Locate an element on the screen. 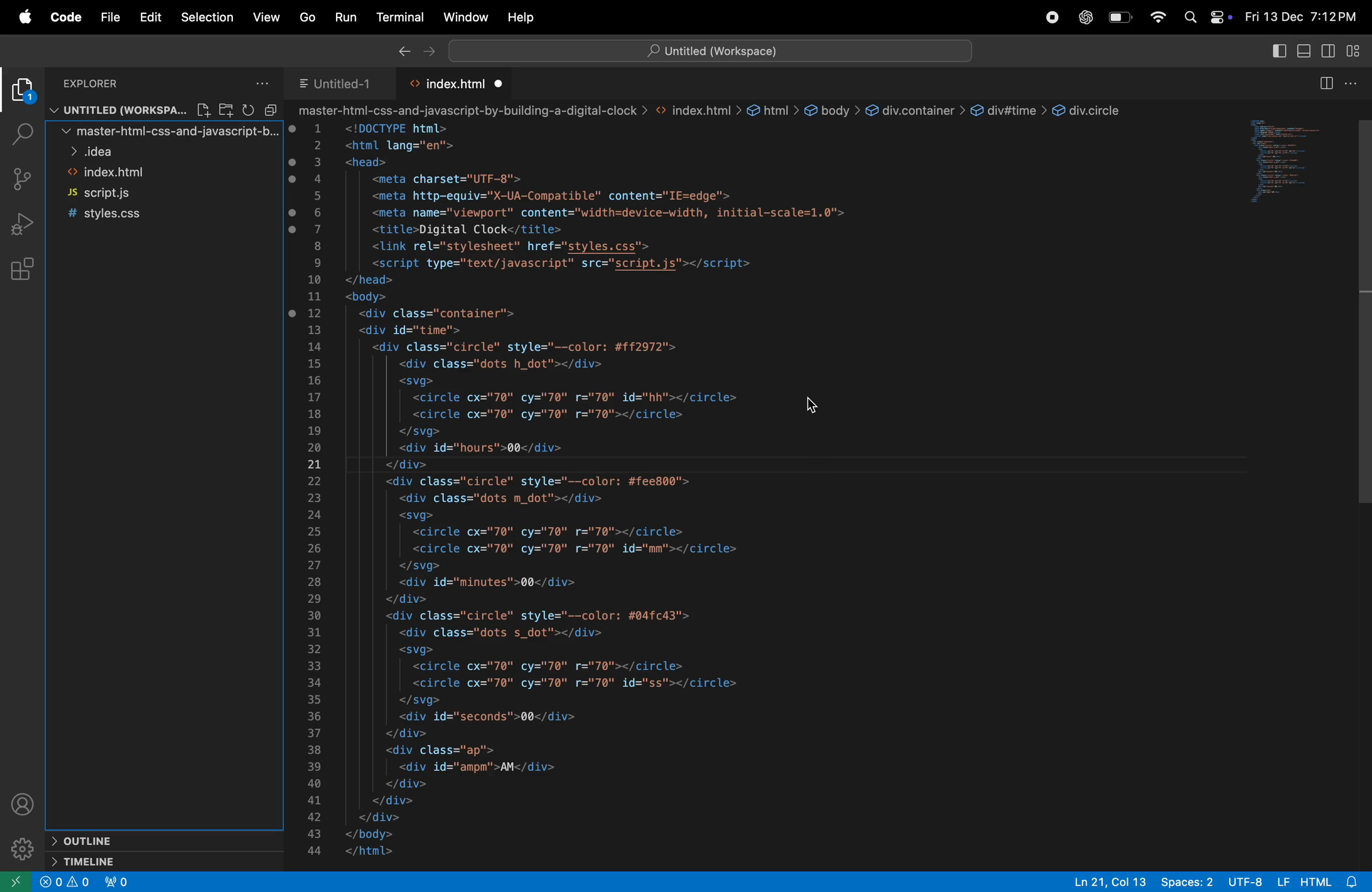  RUN is located at coordinates (348, 16).